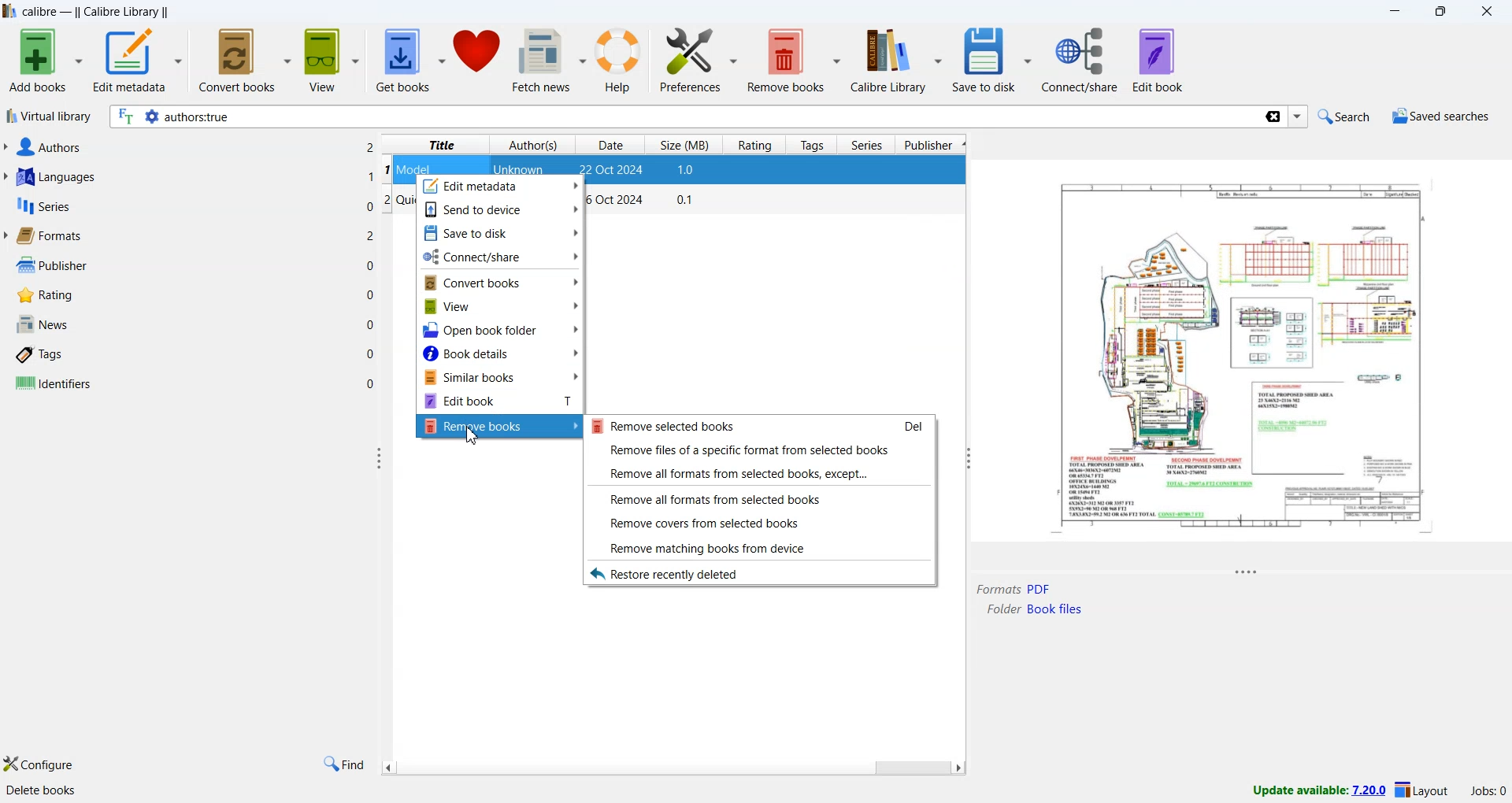 This screenshot has height=803, width=1512. Describe the element at coordinates (899, 60) in the screenshot. I see `calibre library` at that location.